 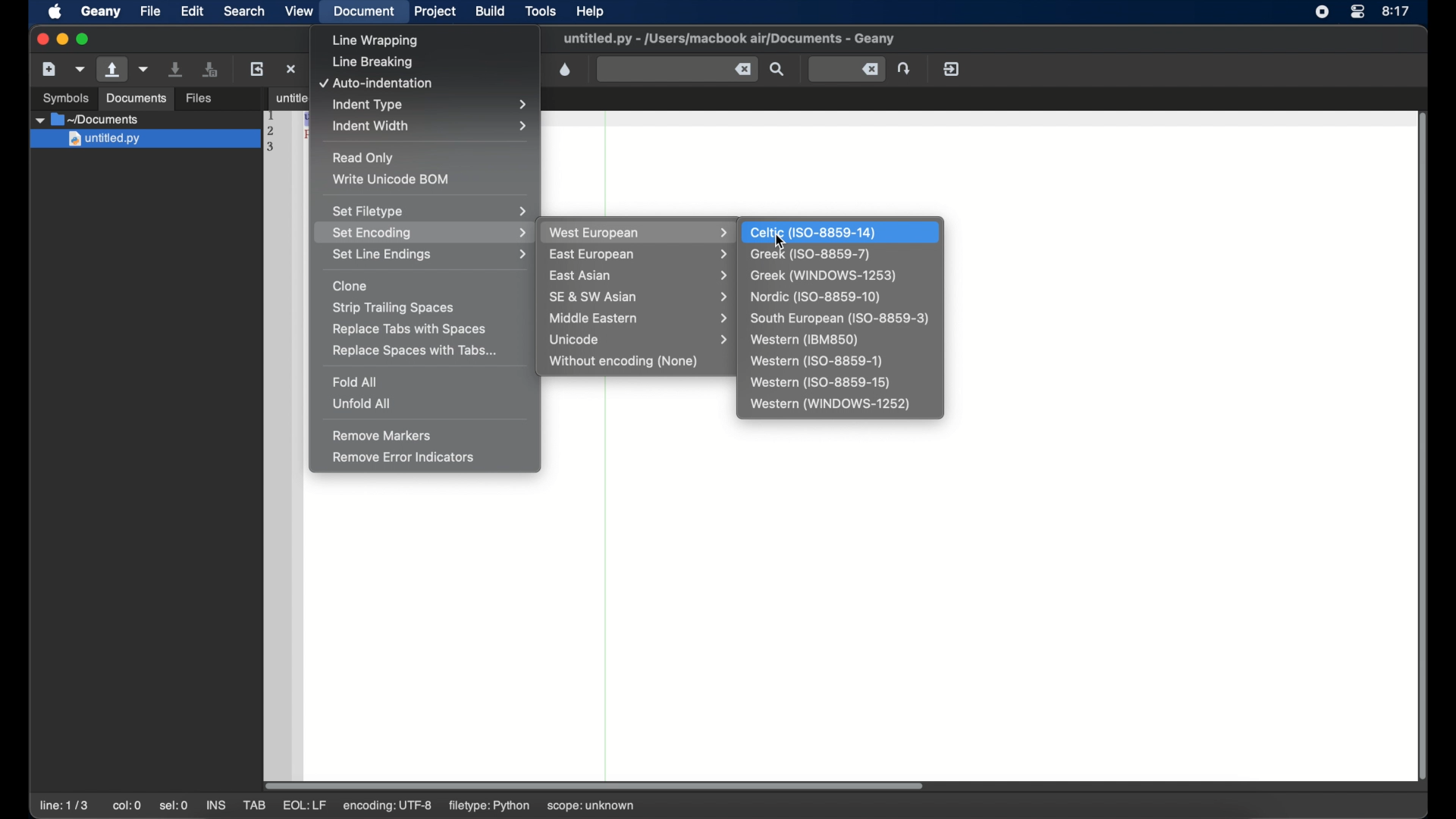 I want to click on set encoding menu highlighted, so click(x=424, y=232).